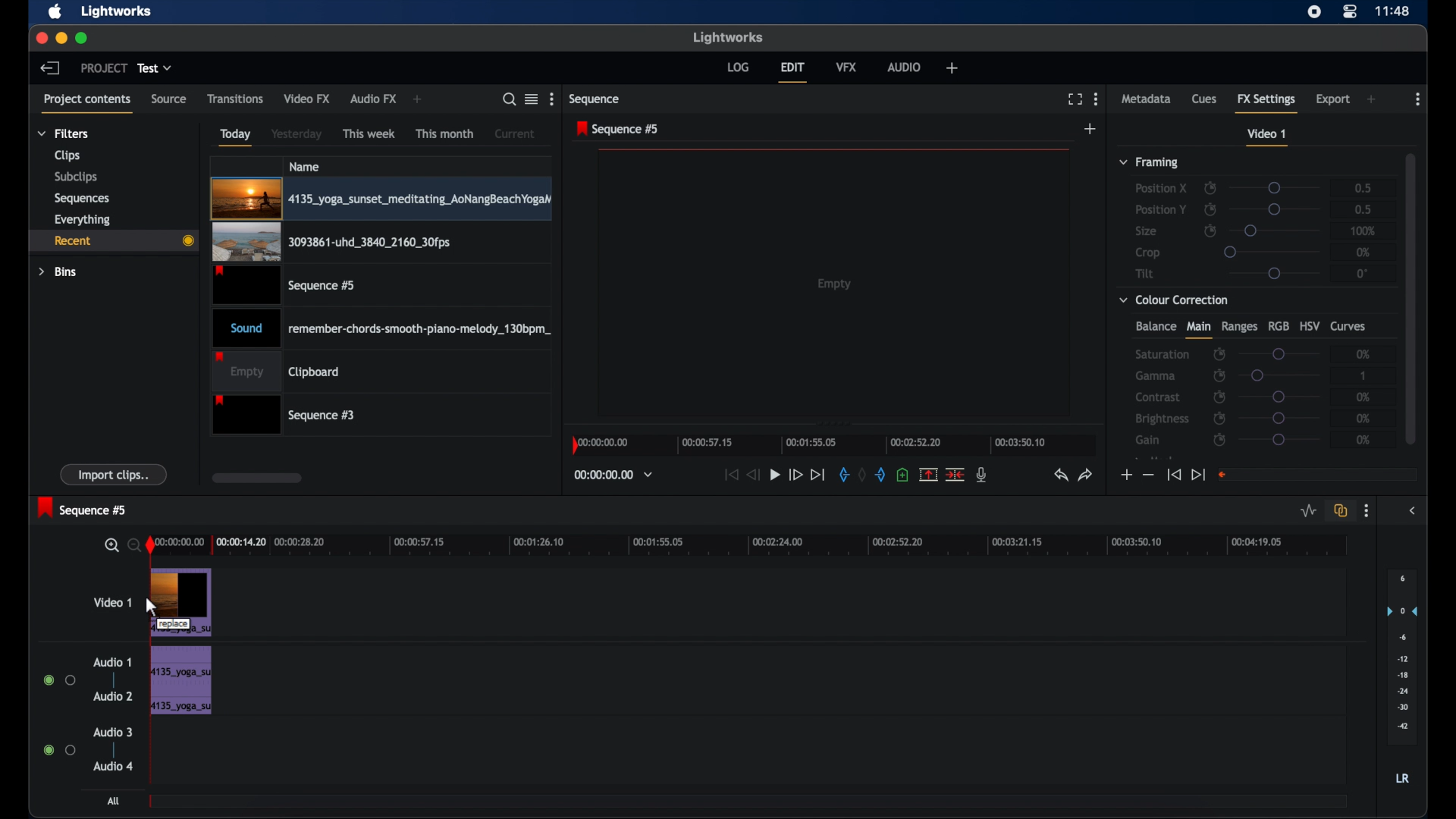 This screenshot has width=1456, height=819. What do you see at coordinates (928, 474) in the screenshot?
I see `split` at bounding box center [928, 474].